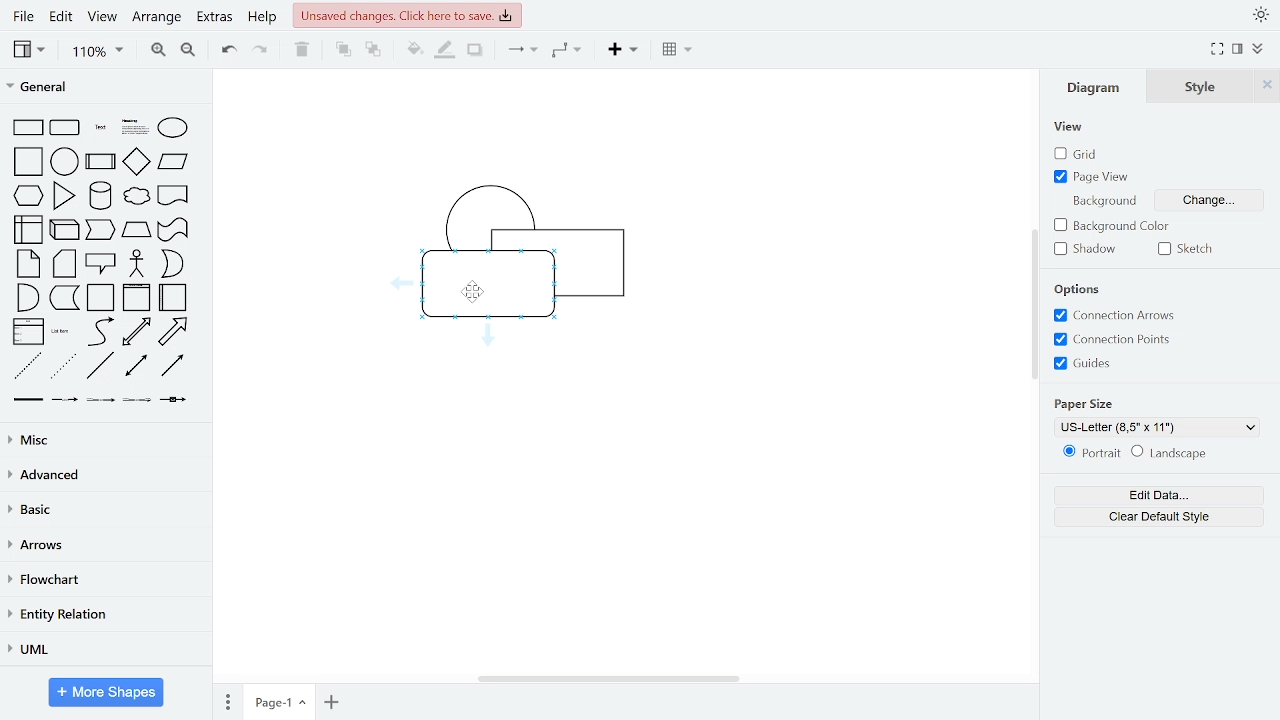  What do you see at coordinates (190, 51) in the screenshot?
I see `zoom out` at bounding box center [190, 51].